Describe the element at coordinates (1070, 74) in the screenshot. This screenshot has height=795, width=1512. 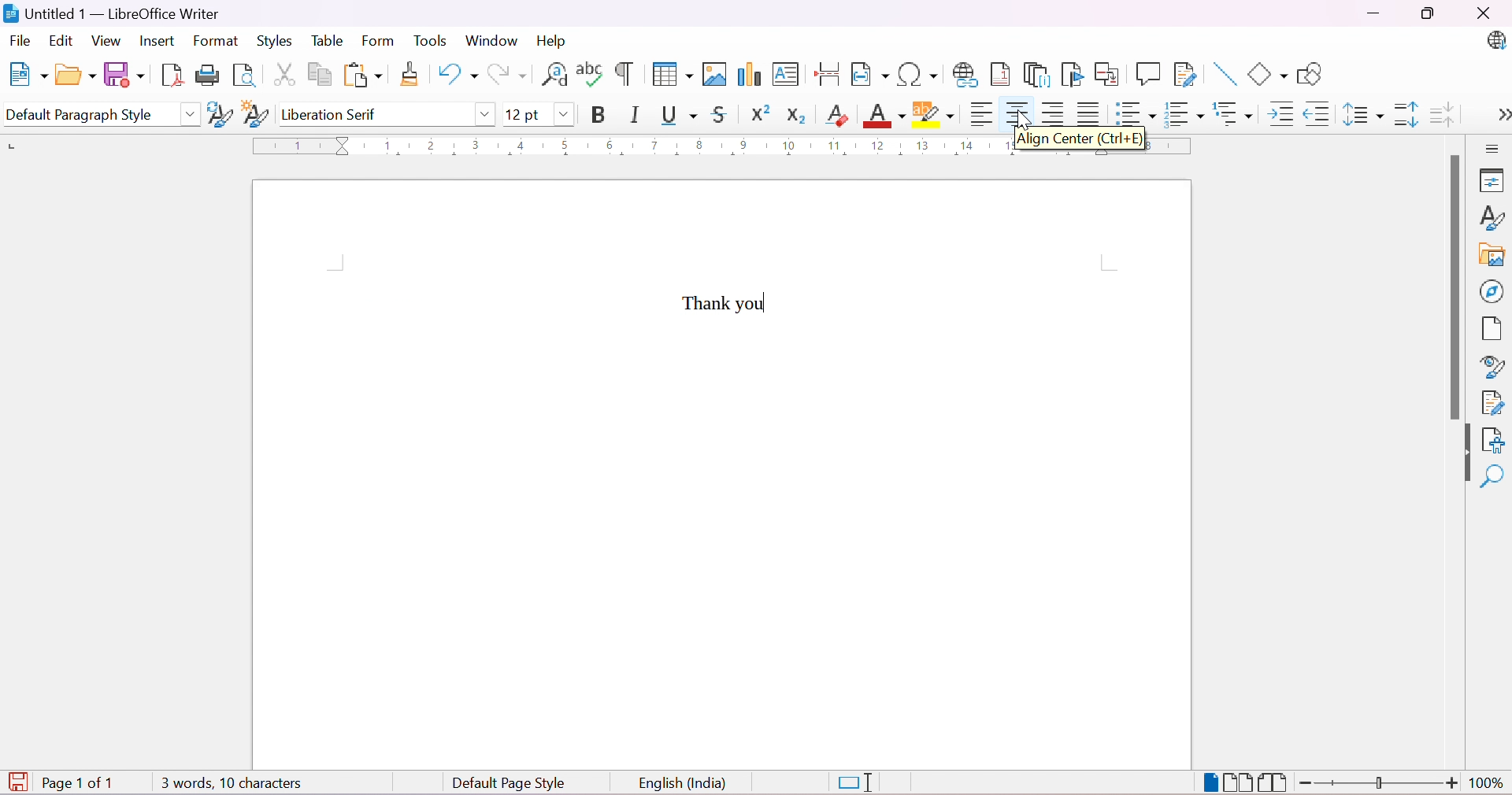
I see `Insert Bookmark` at that location.